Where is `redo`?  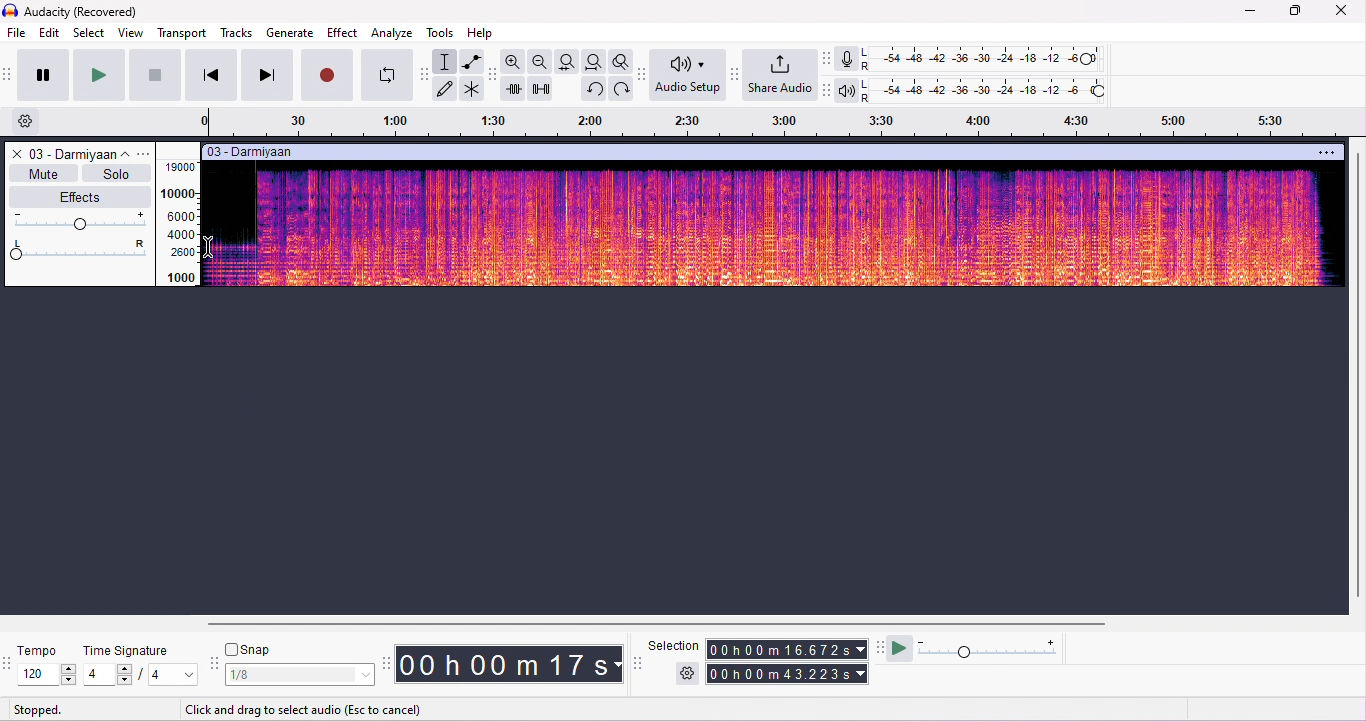 redo is located at coordinates (623, 89).